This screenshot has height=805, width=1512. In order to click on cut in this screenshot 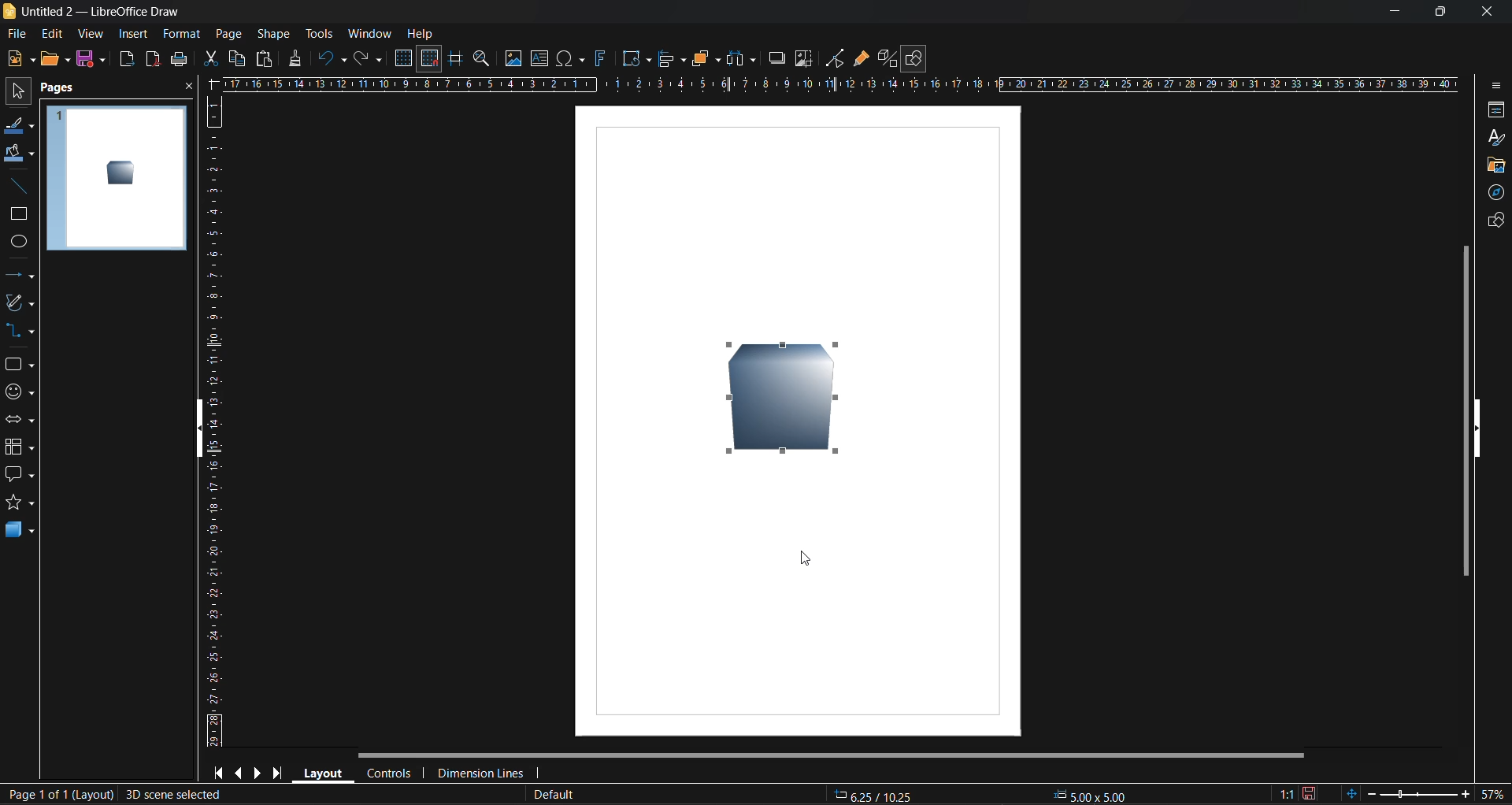, I will do `click(213, 60)`.